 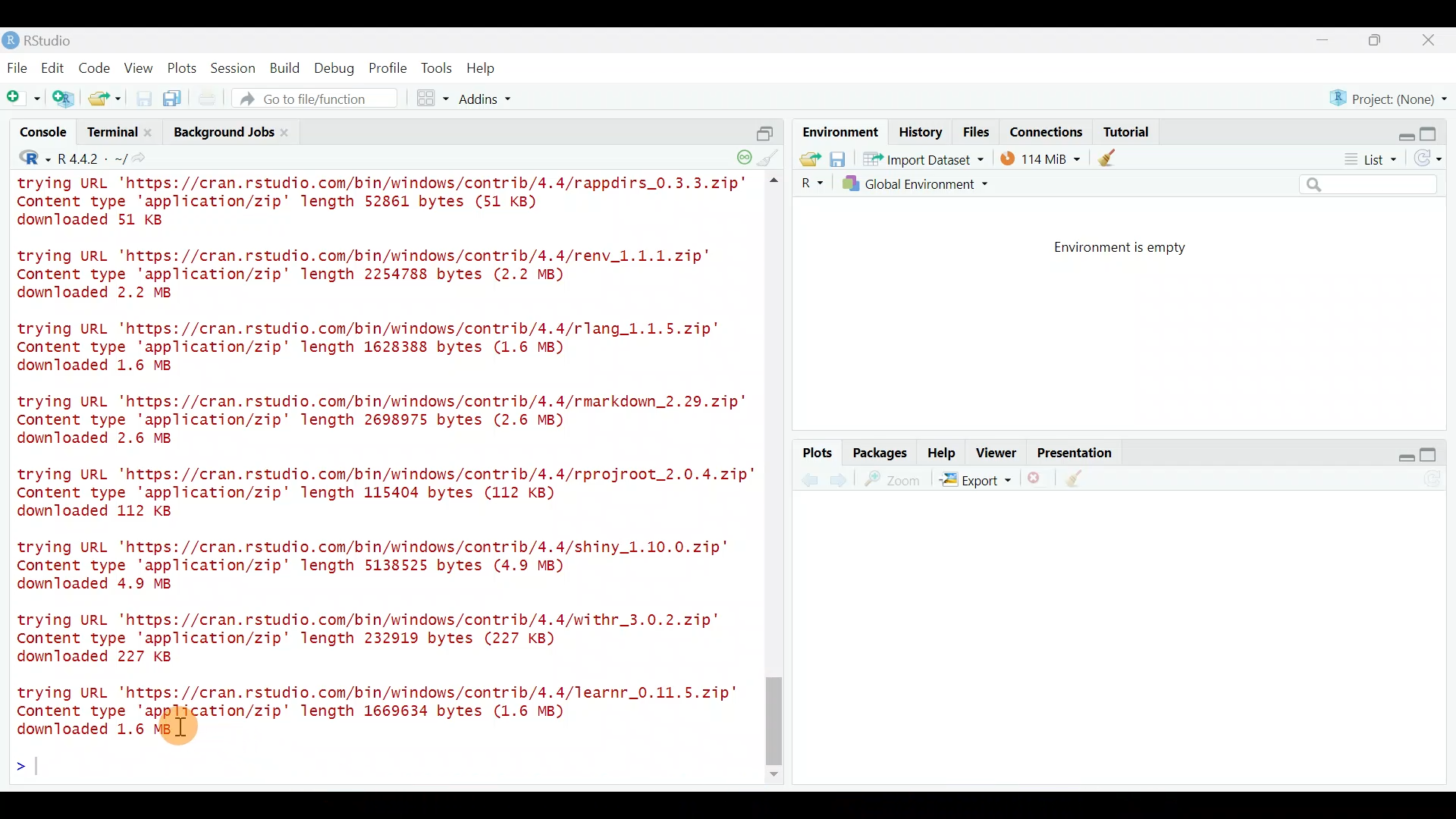 What do you see at coordinates (1330, 41) in the screenshot?
I see `minimize` at bounding box center [1330, 41].